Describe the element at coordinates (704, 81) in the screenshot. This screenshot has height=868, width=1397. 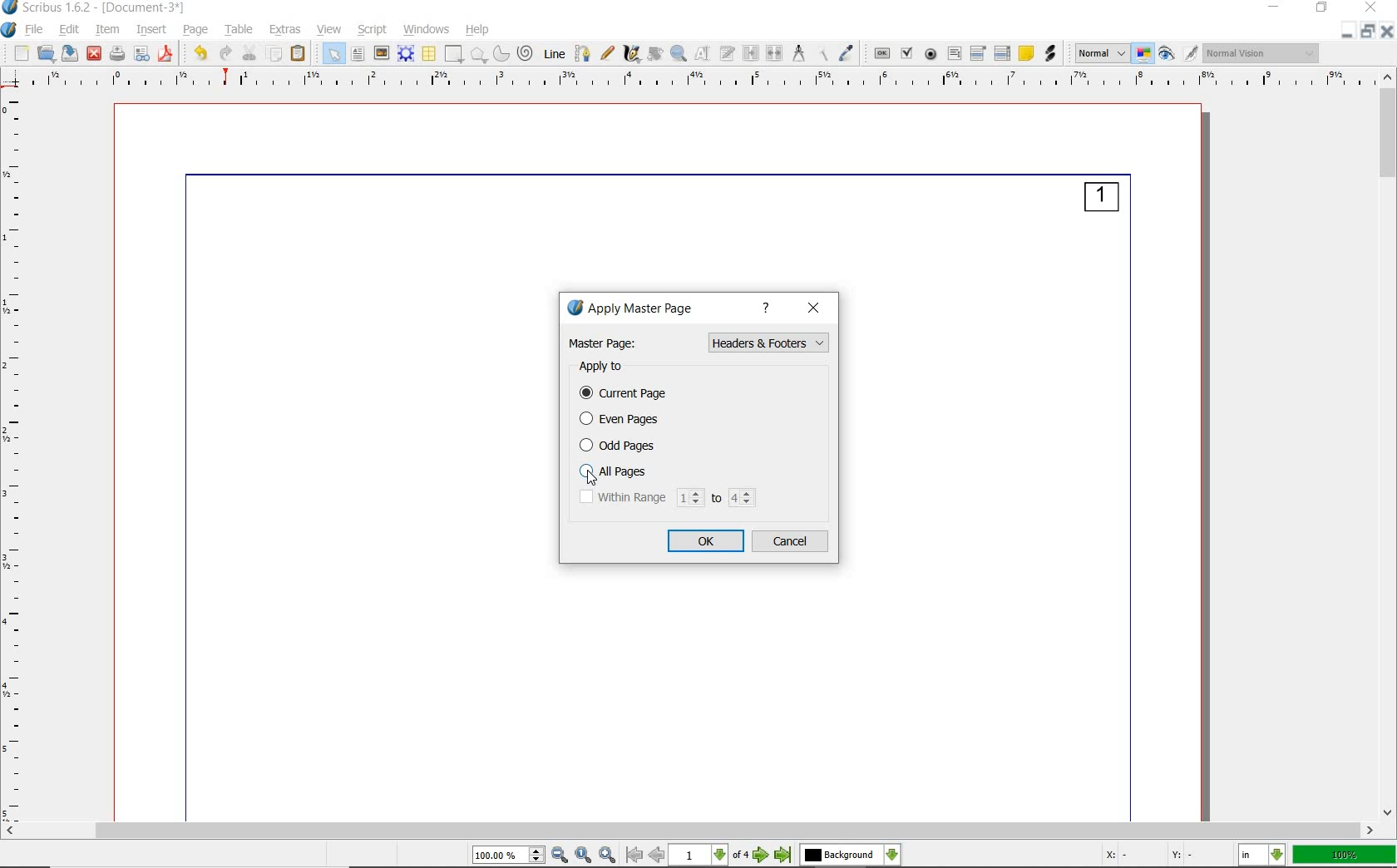
I see `Ruler` at that location.